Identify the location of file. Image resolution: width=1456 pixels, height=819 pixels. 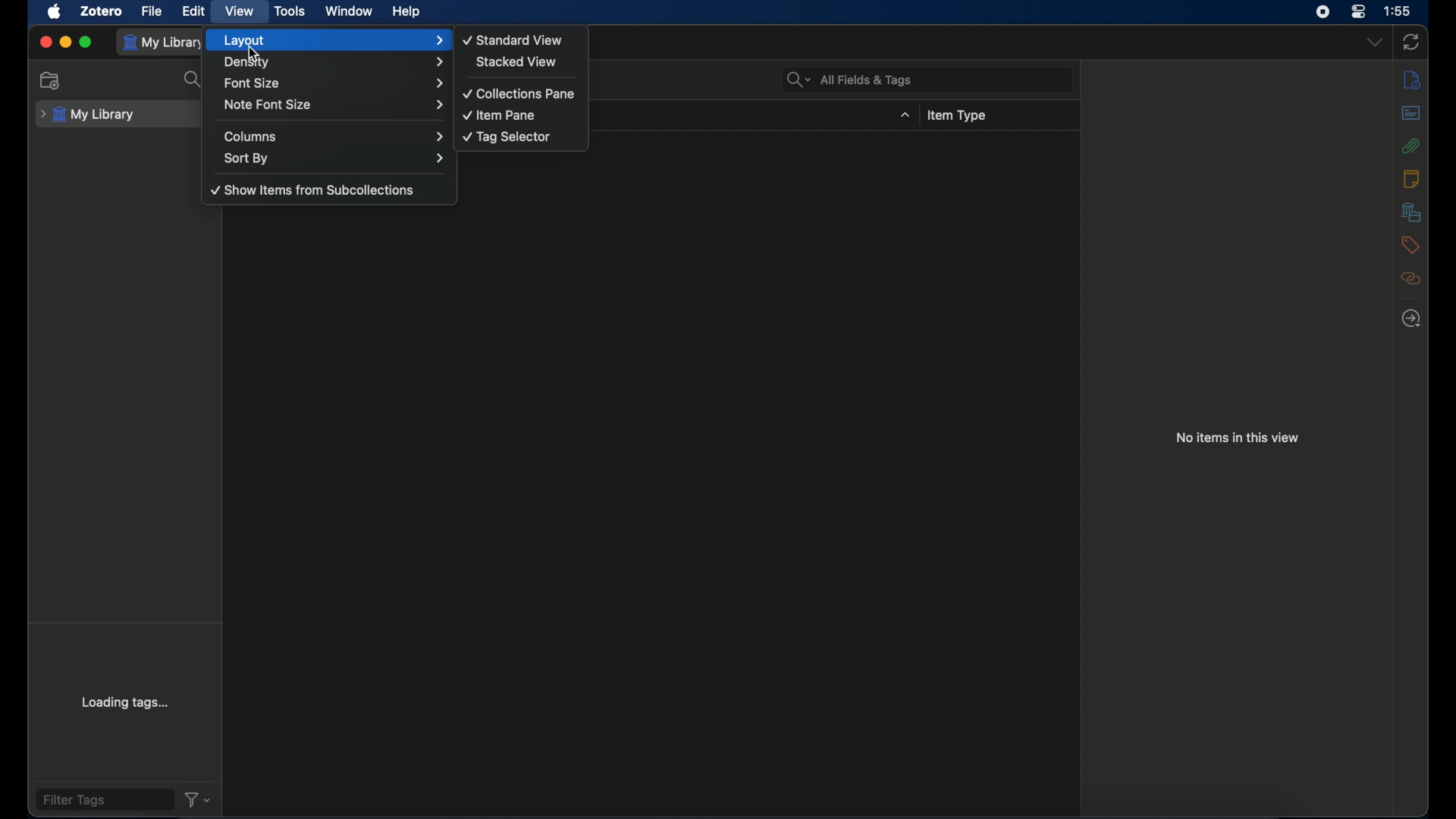
(152, 11).